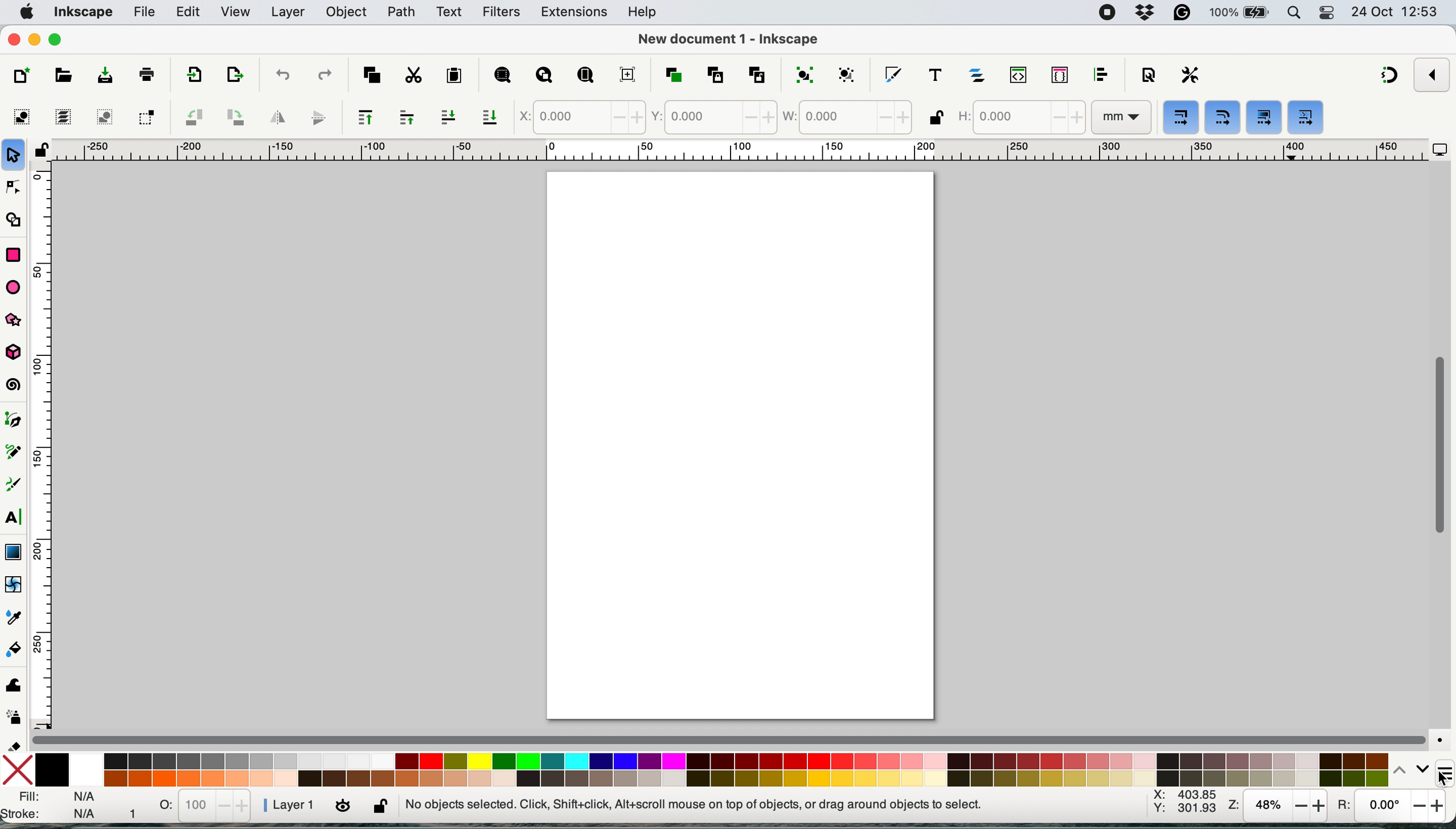  What do you see at coordinates (274, 118) in the screenshot?
I see `flip horizontally` at bounding box center [274, 118].